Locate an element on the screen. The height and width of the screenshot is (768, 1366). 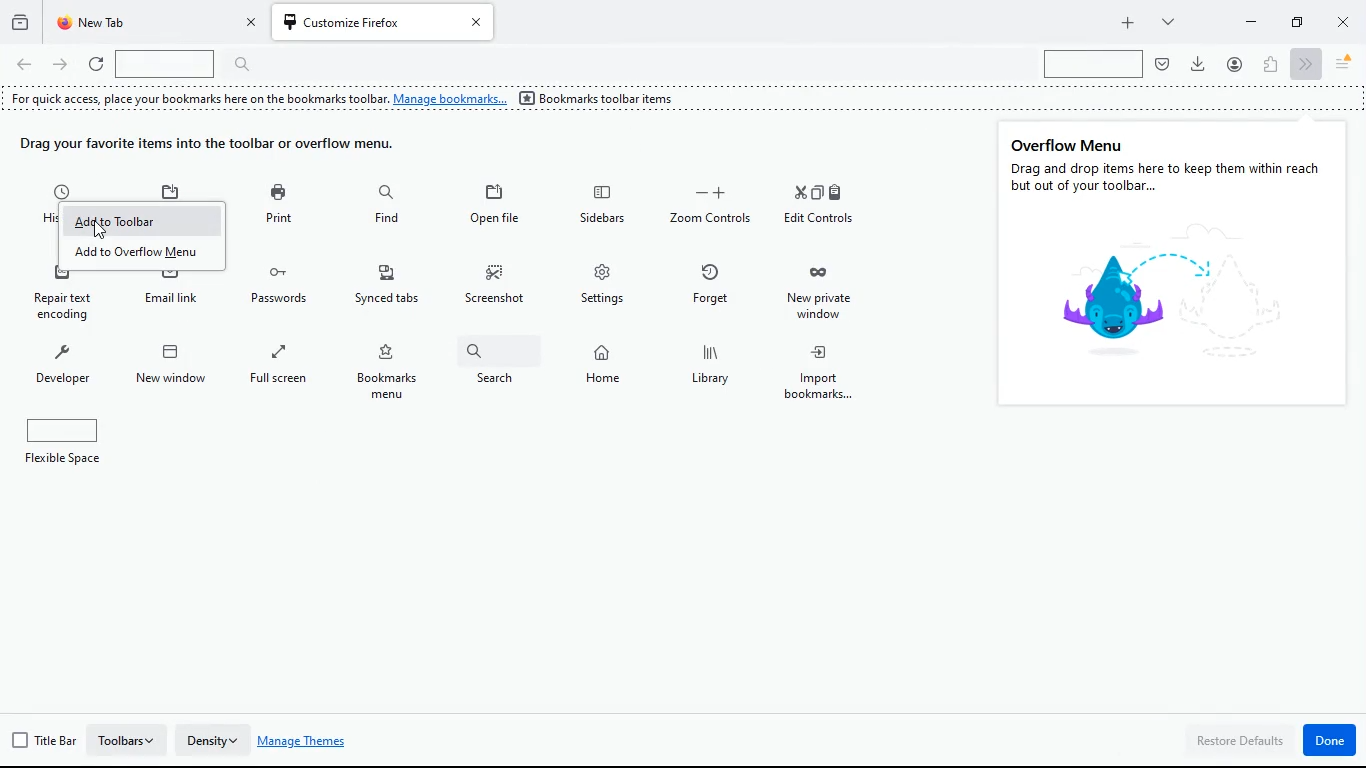
search is located at coordinates (1092, 65).